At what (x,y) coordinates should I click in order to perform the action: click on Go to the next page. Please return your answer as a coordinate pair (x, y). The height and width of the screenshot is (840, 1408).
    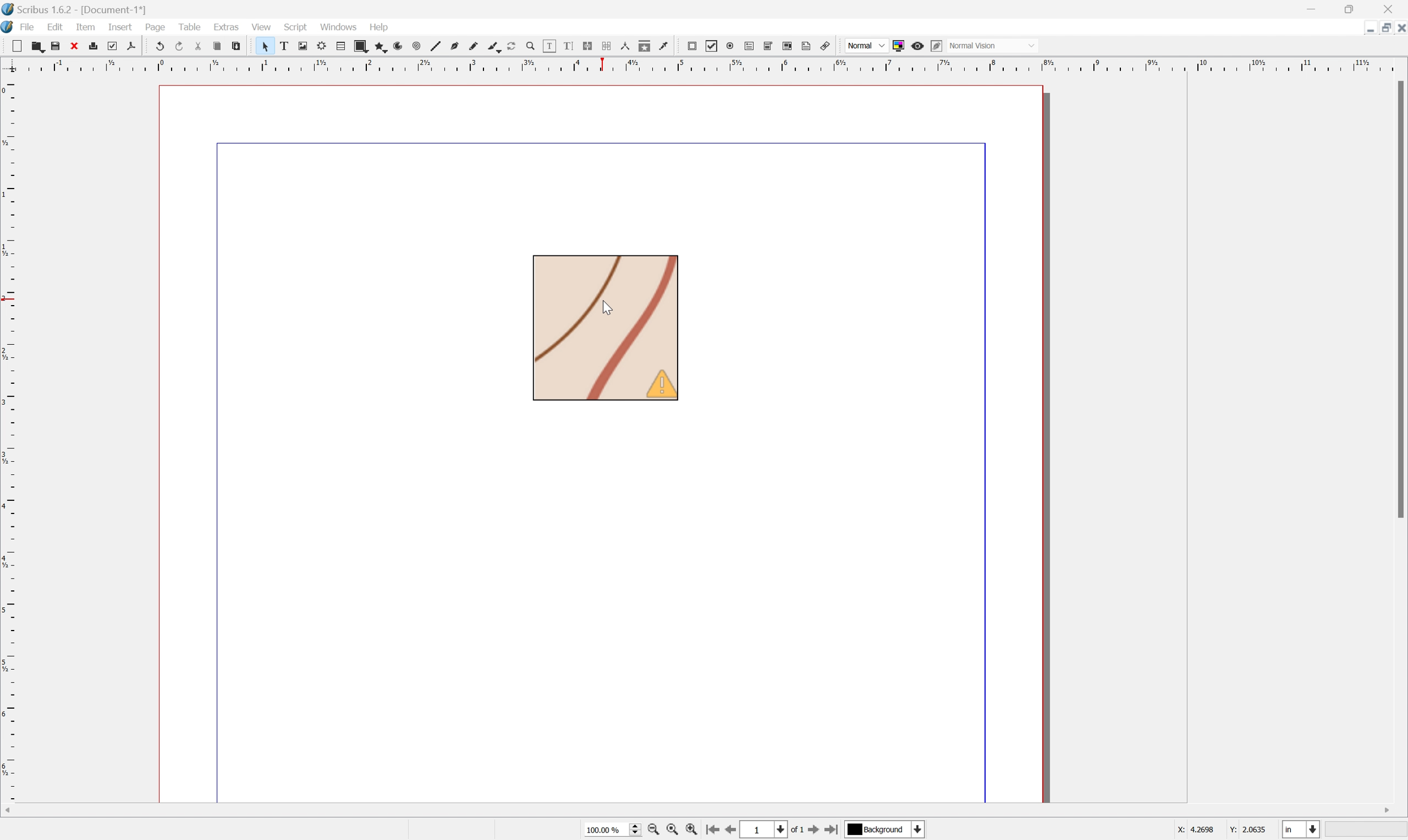
    Looking at the image, I should click on (814, 832).